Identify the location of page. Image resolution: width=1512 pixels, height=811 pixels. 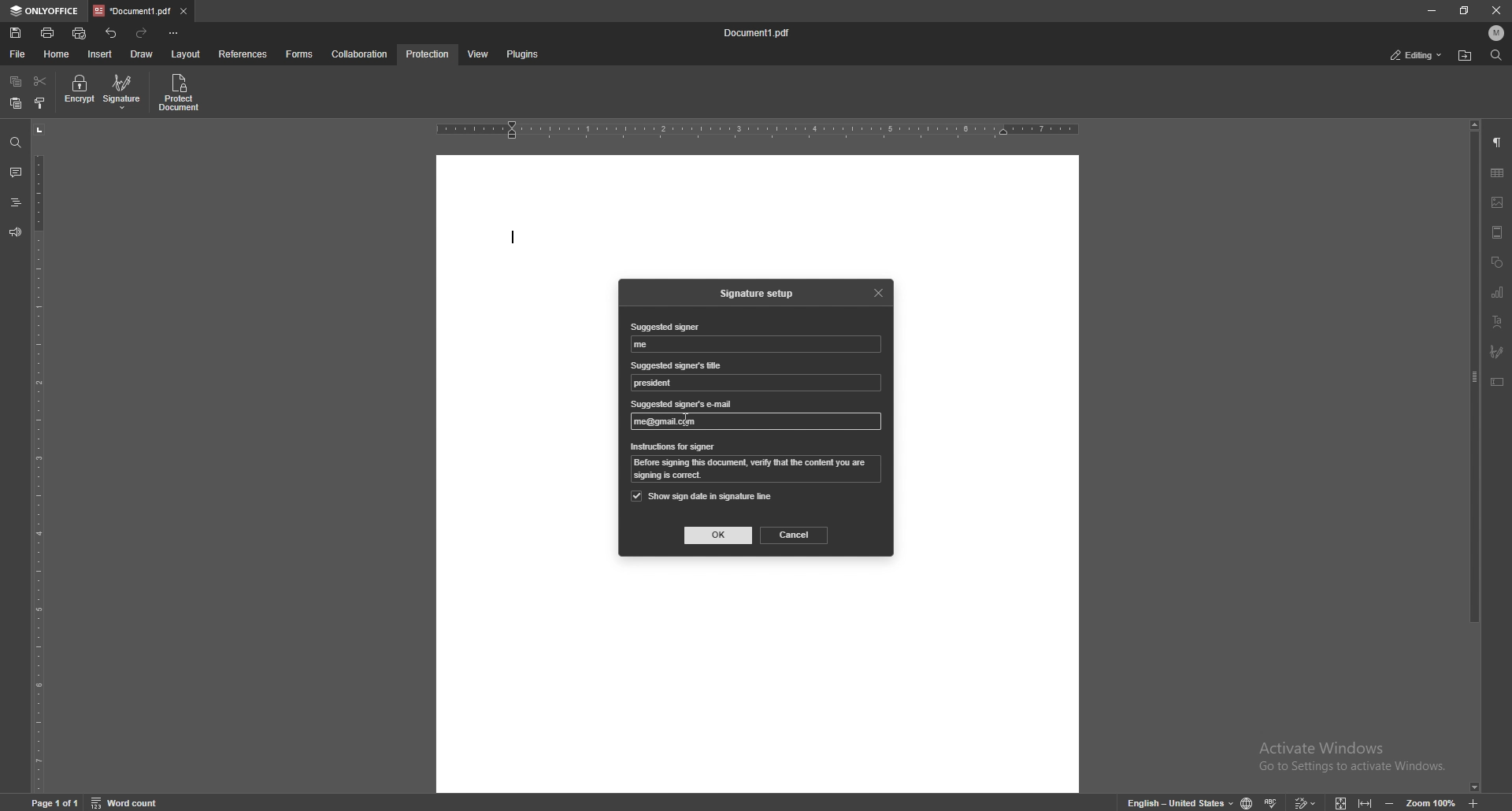
(57, 802).